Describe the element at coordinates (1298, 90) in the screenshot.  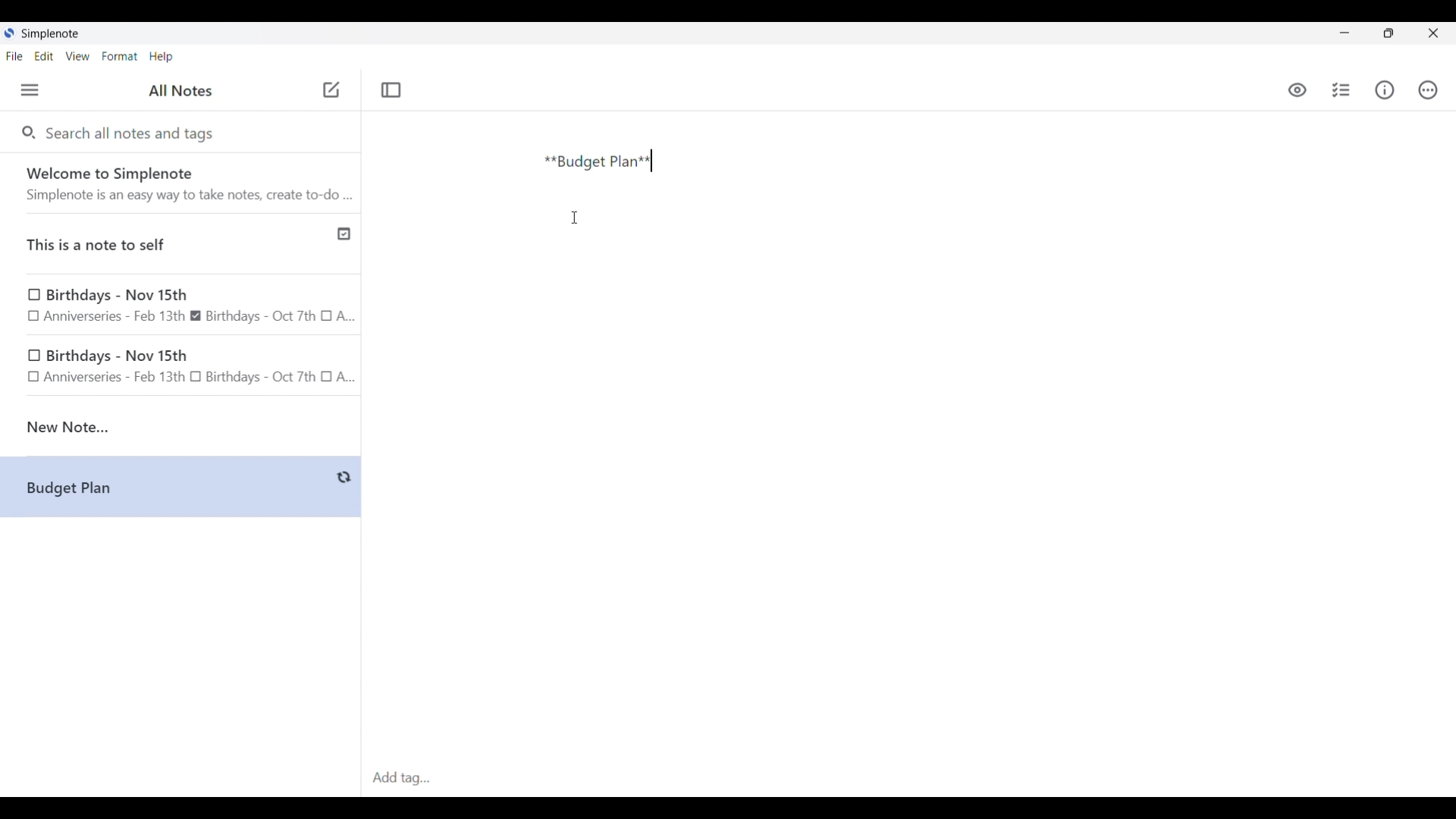
I see `Toggle to see markdown preview` at that location.